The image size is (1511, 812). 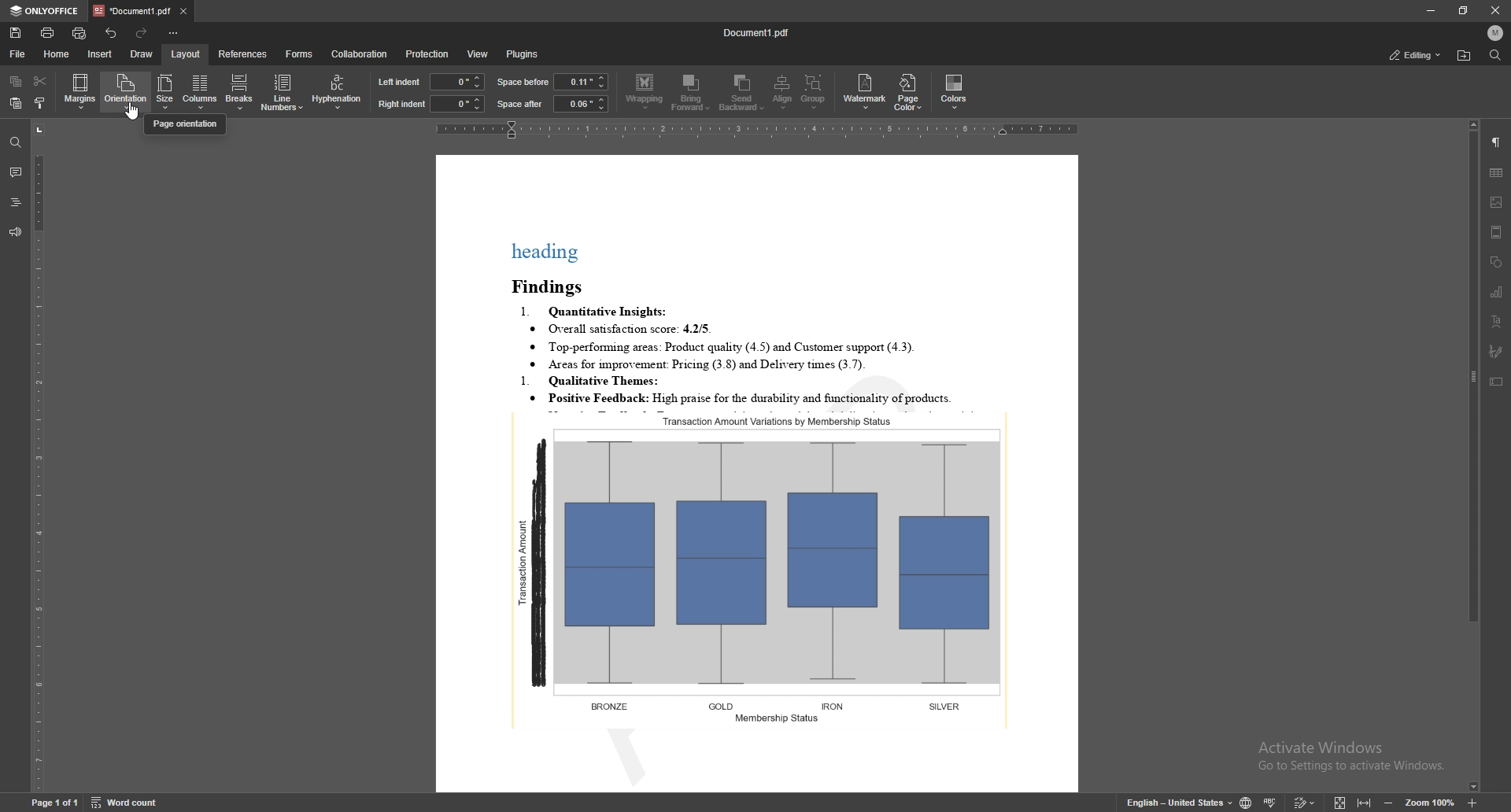 I want to click on find, so click(x=13, y=142).